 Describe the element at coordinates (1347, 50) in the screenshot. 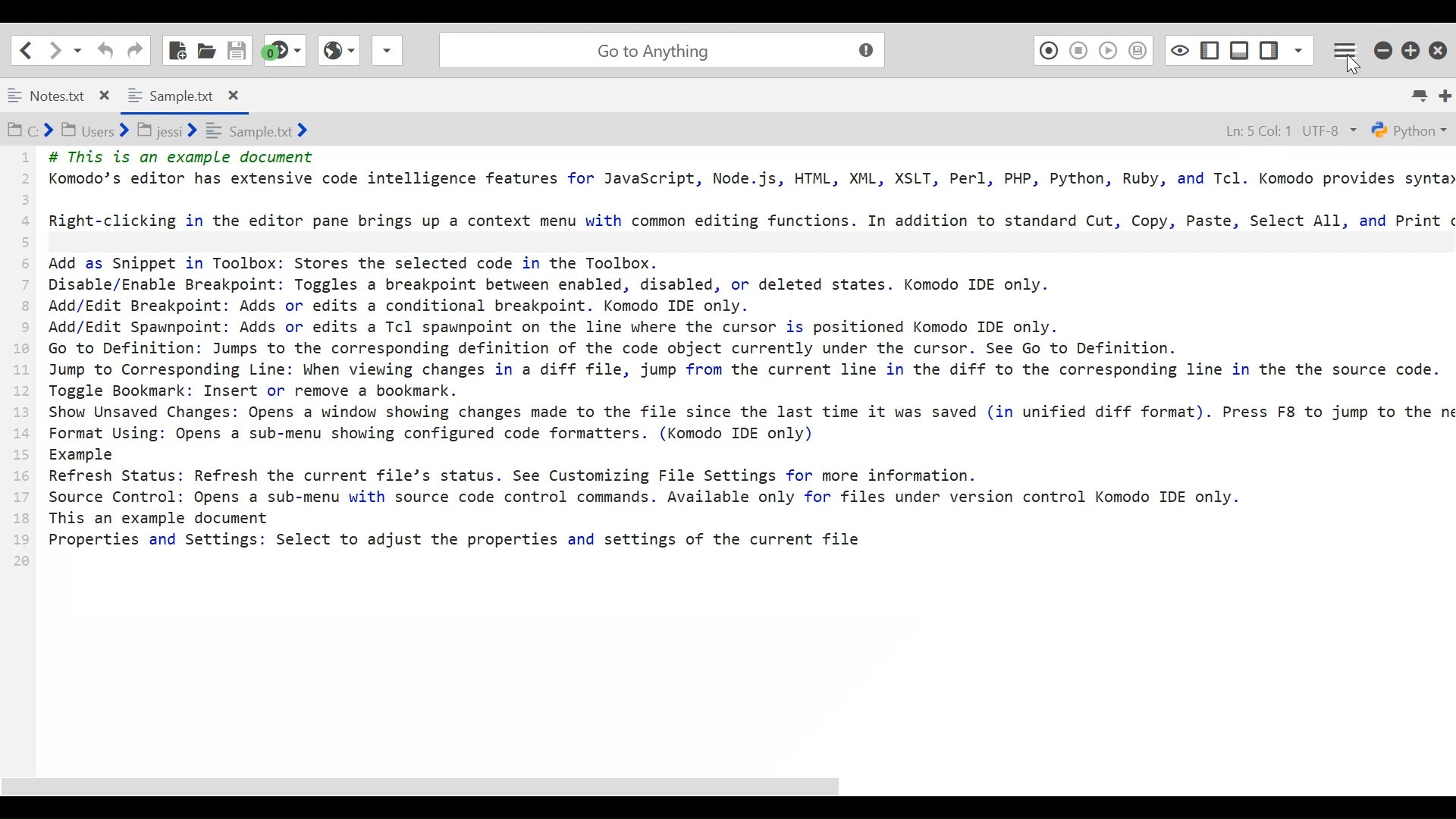

I see `Application menu` at that location.